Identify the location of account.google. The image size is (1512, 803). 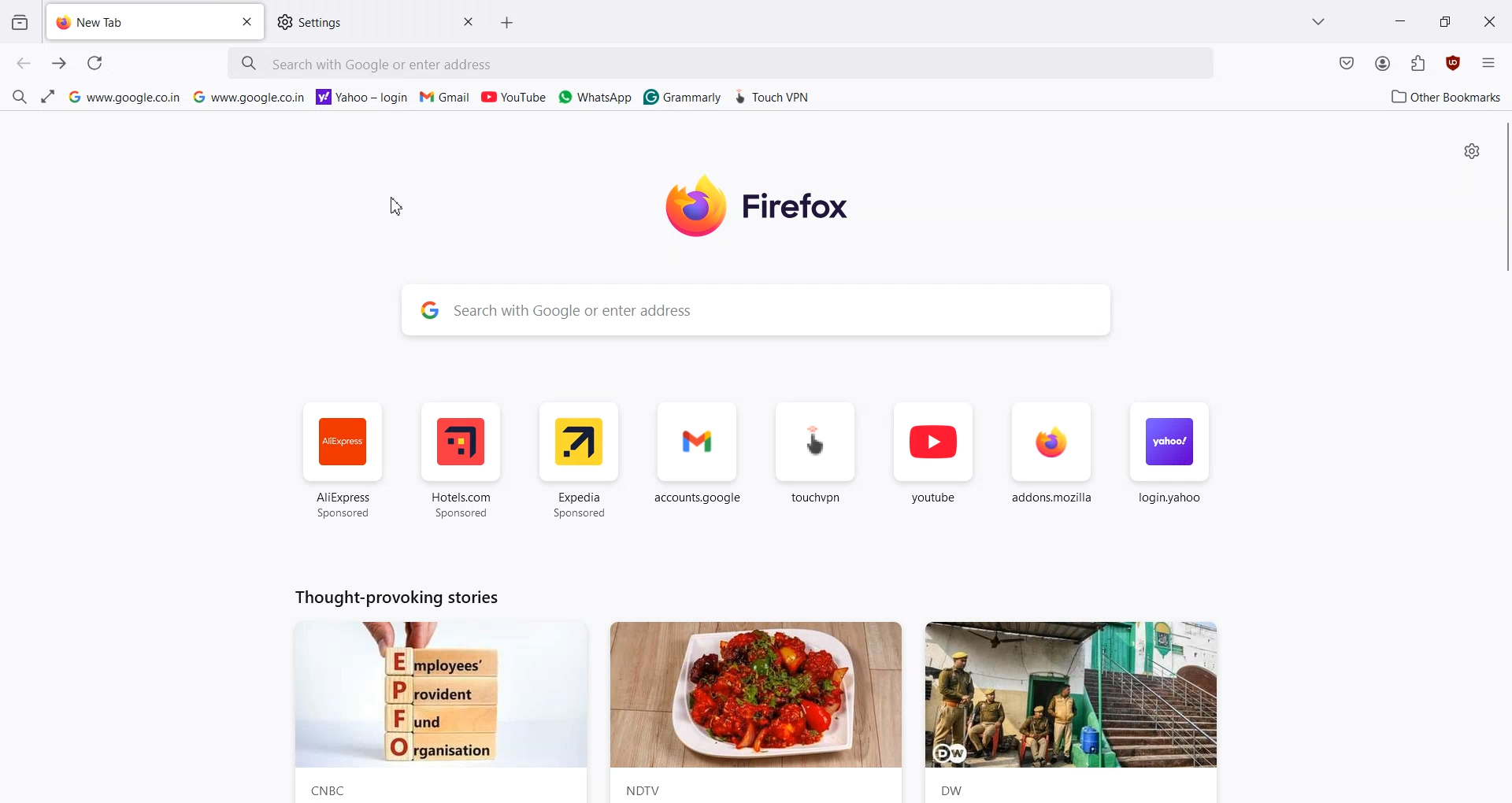
(699, 461).